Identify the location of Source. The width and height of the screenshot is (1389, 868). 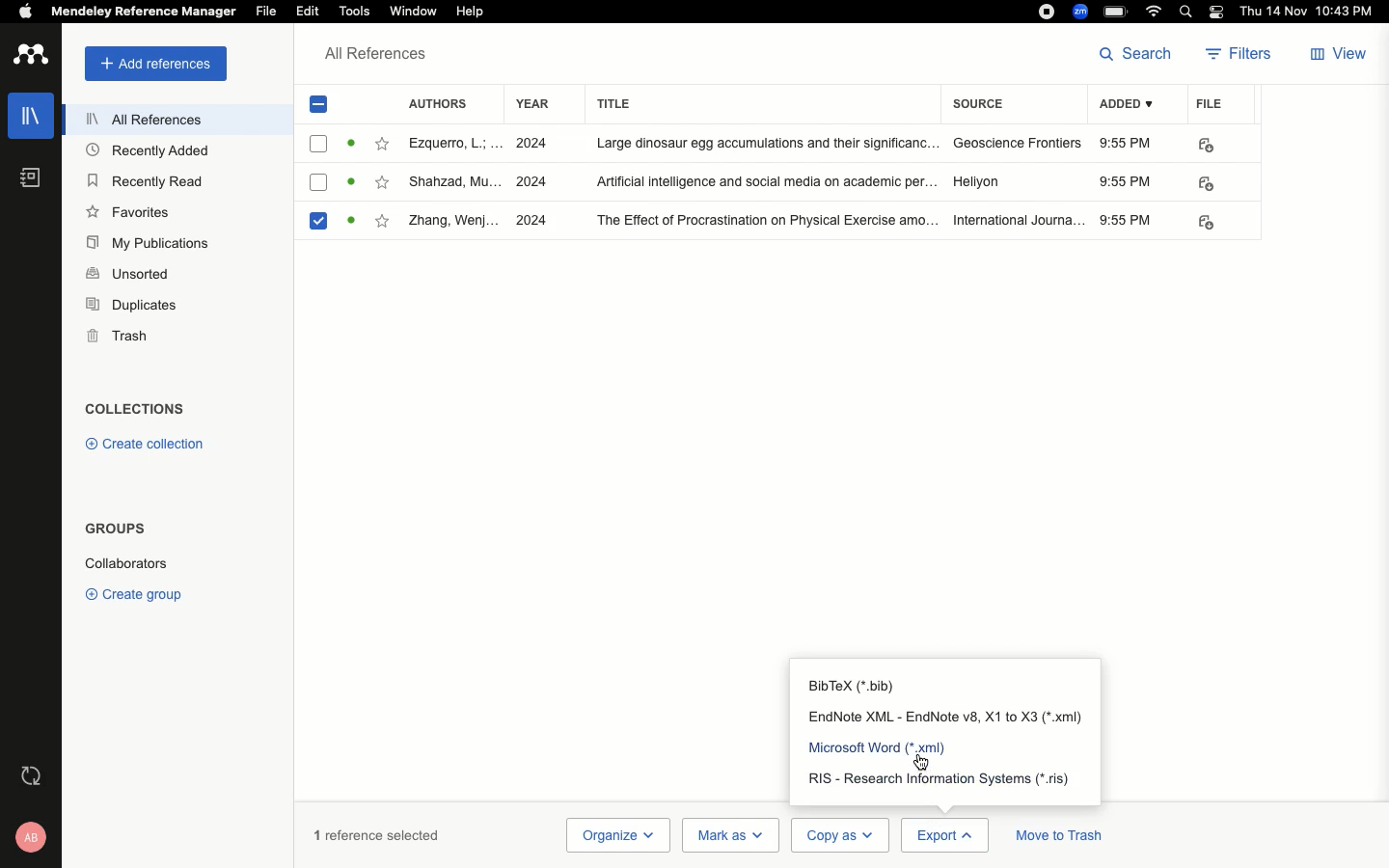
(984, 106).